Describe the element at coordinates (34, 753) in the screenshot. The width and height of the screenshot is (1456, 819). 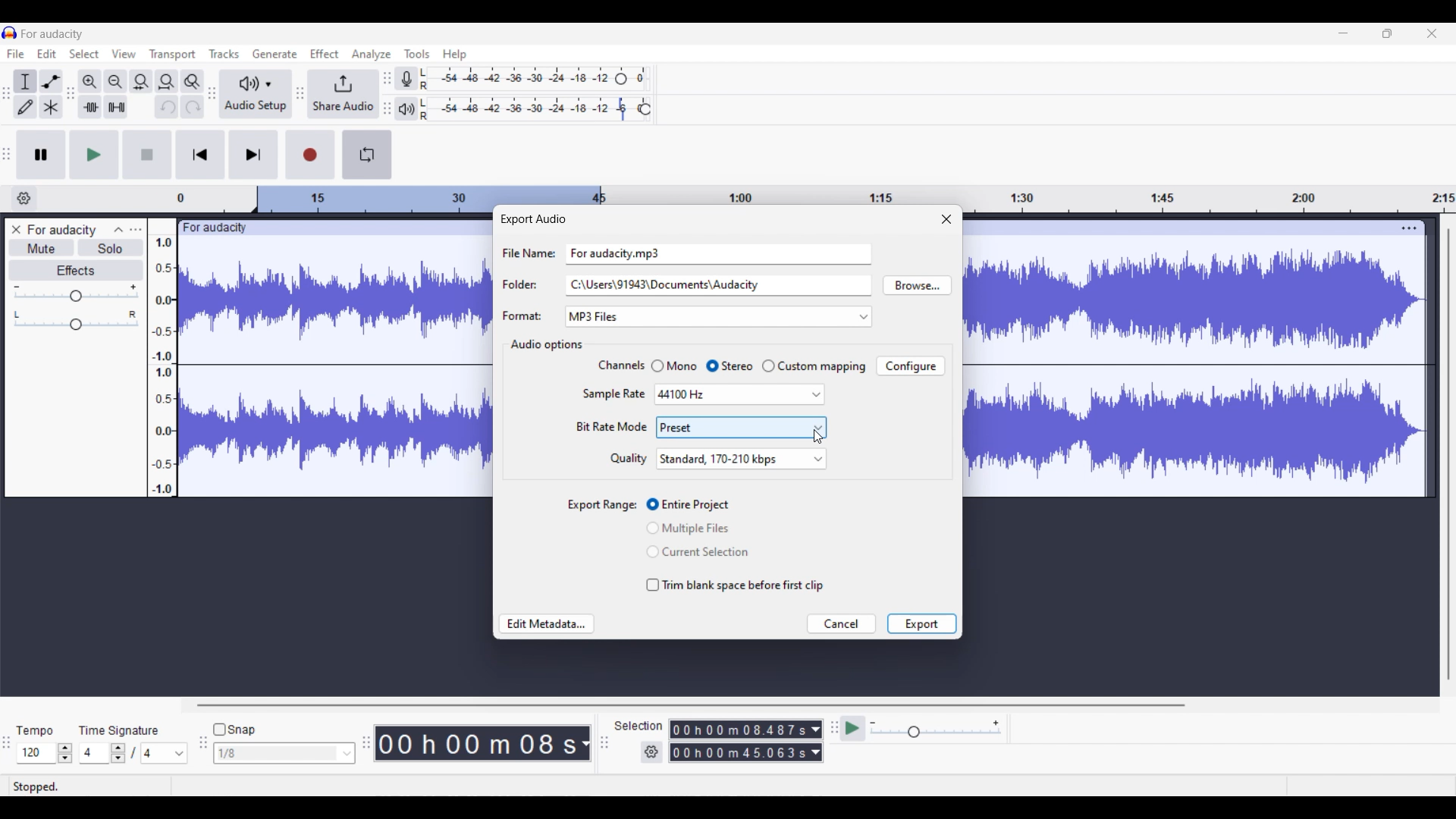
I see `Tempo options` at that location.